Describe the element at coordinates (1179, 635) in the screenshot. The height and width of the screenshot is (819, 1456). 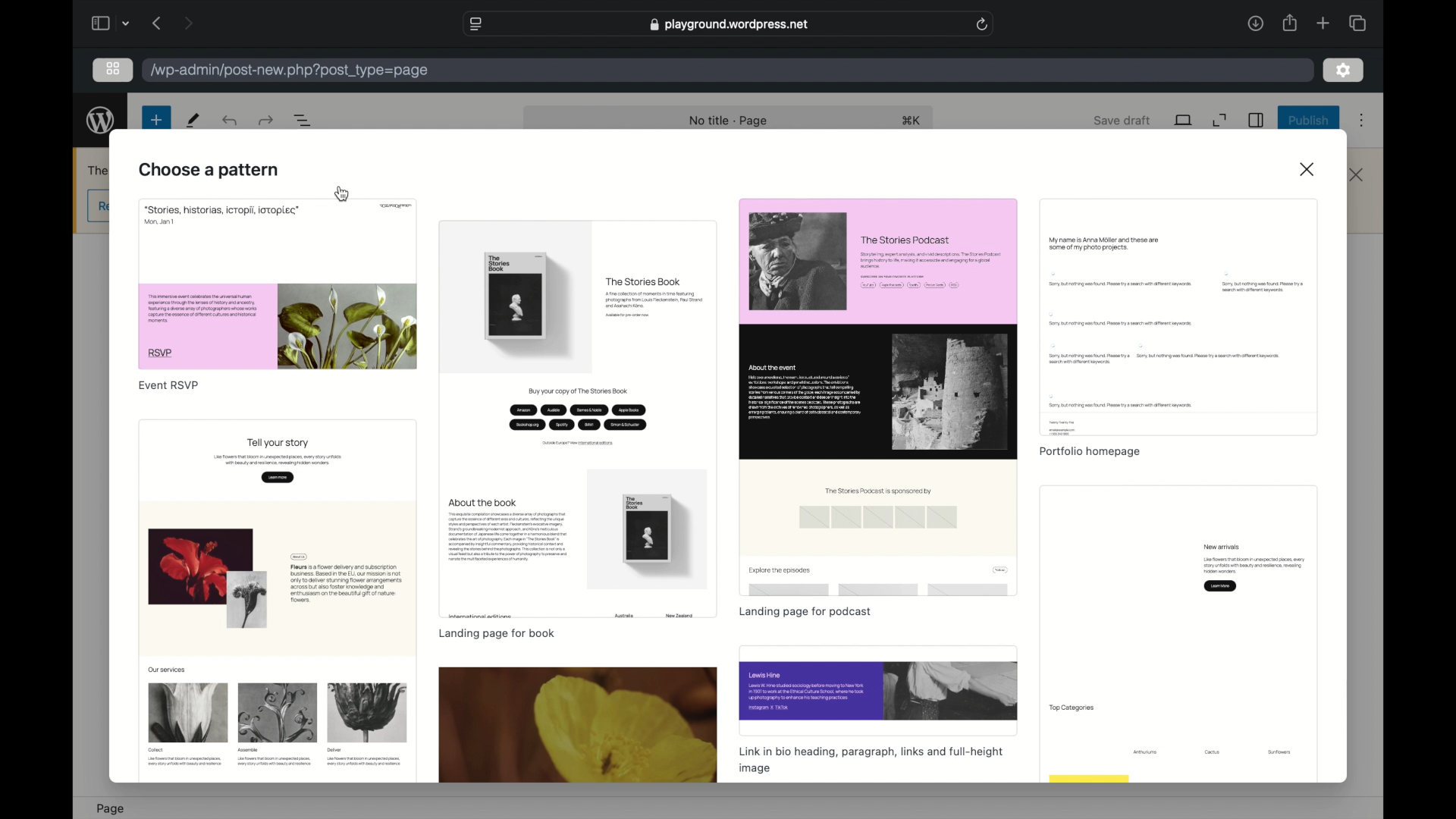
I see `preview` at that location.